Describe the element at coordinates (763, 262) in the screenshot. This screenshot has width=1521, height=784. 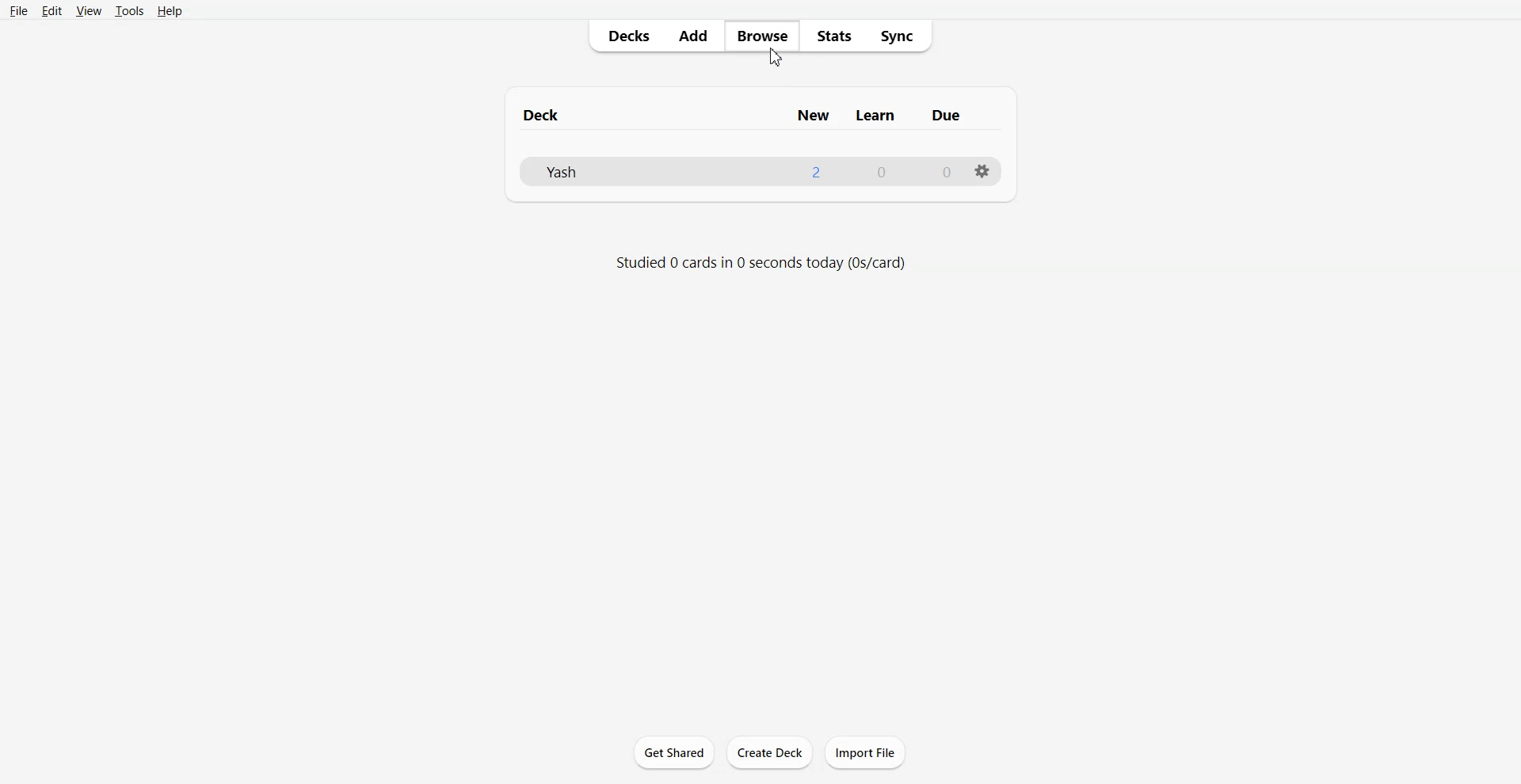
I see `Studied 0 cards in 0 seconds today (0s/card)` at that location.